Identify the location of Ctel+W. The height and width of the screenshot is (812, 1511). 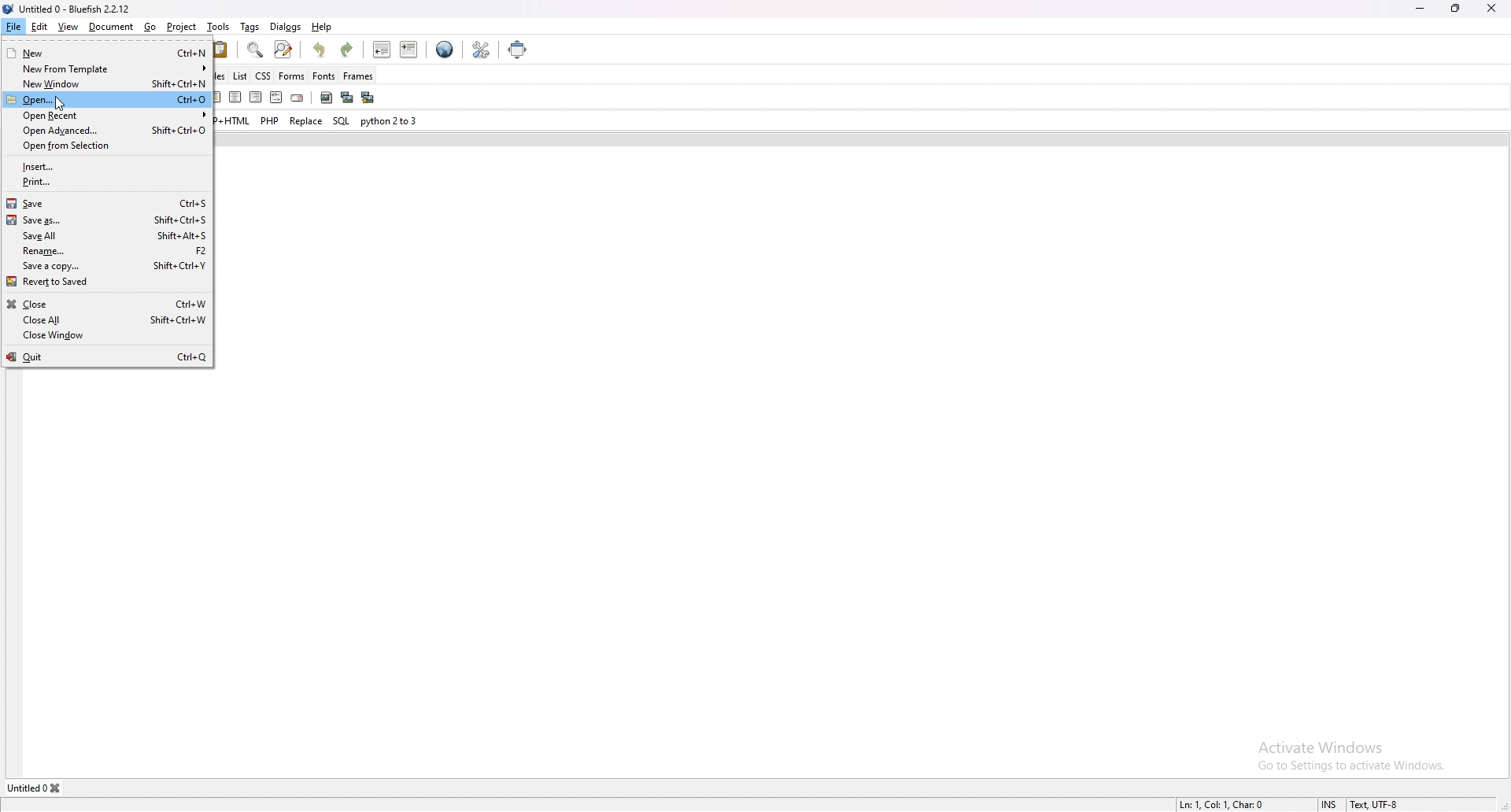
(189, 304).